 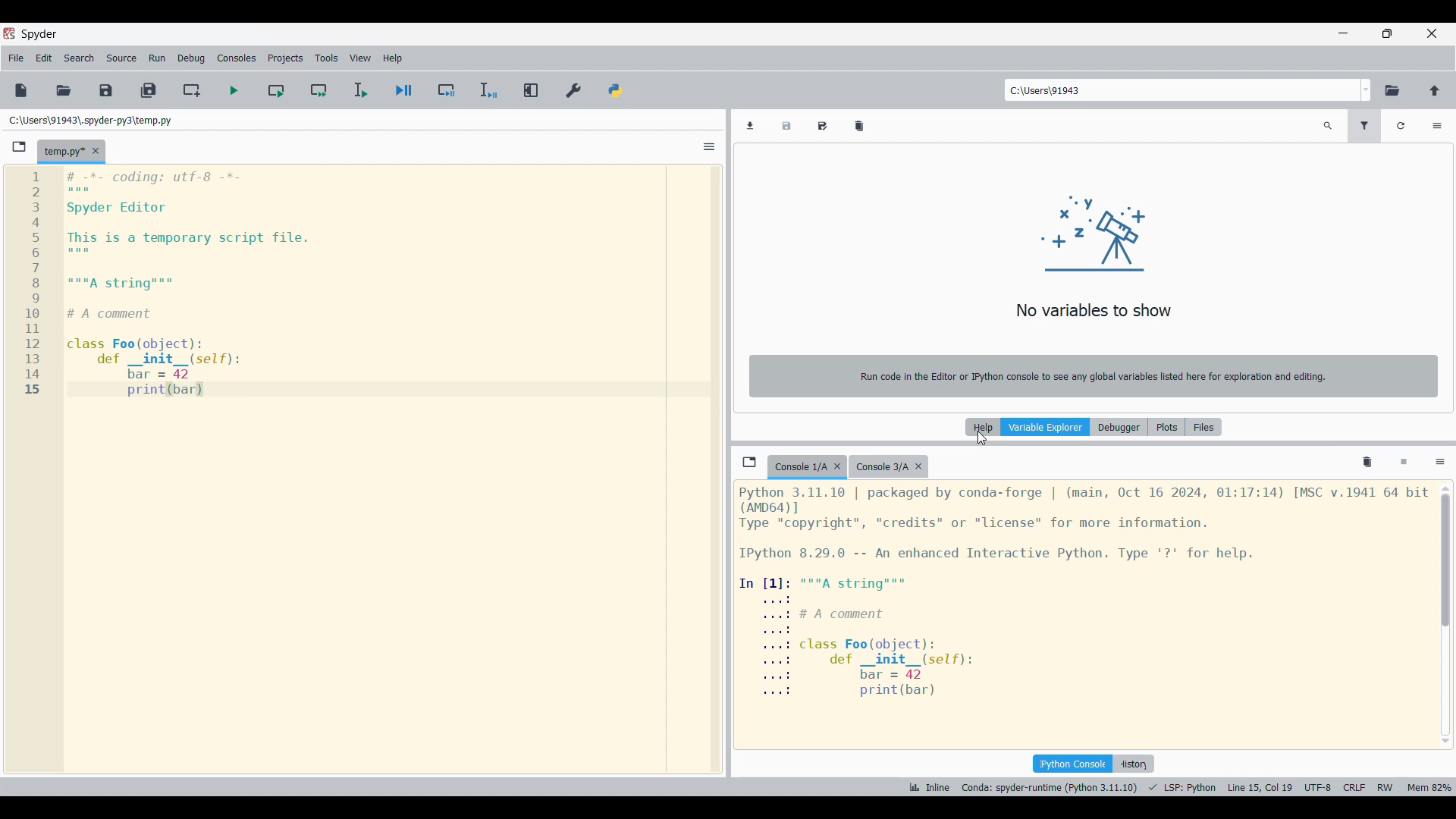 I want to click on CRLF, so click(x=1354, y=784).